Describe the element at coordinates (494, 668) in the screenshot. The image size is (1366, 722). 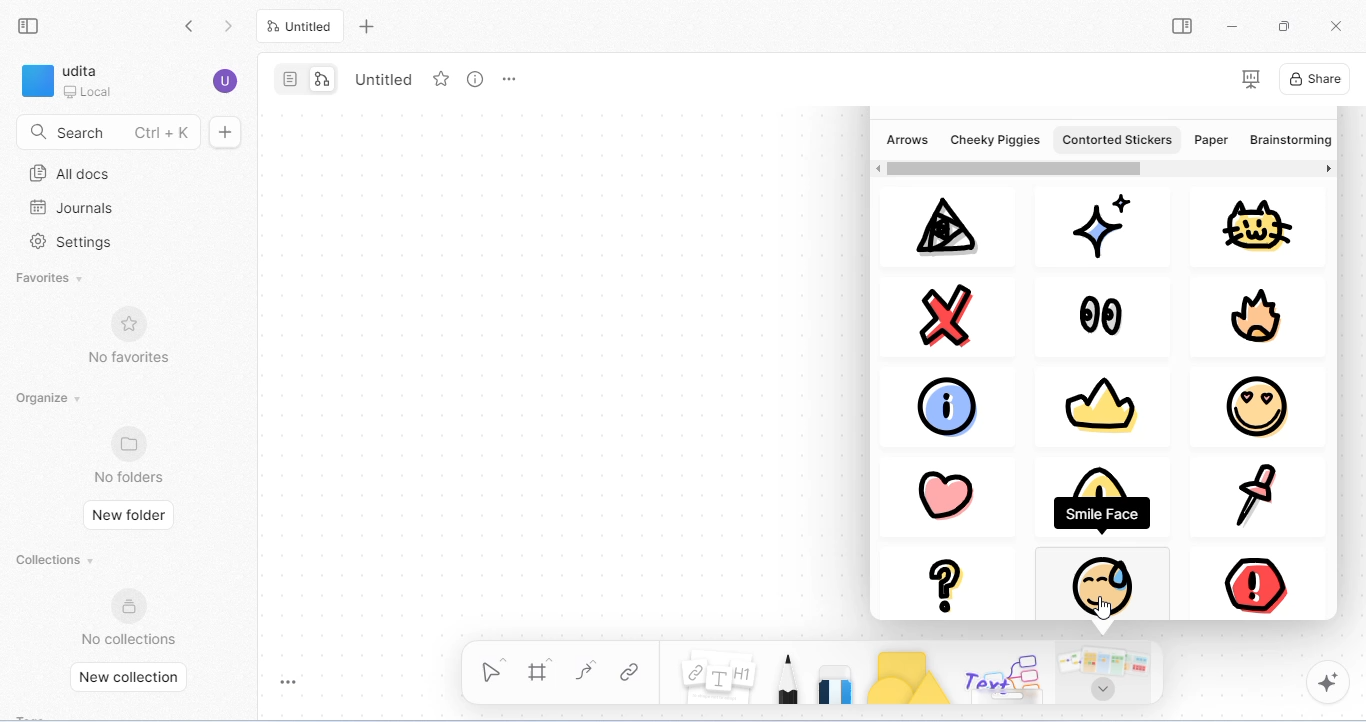
I see `select` at that location.